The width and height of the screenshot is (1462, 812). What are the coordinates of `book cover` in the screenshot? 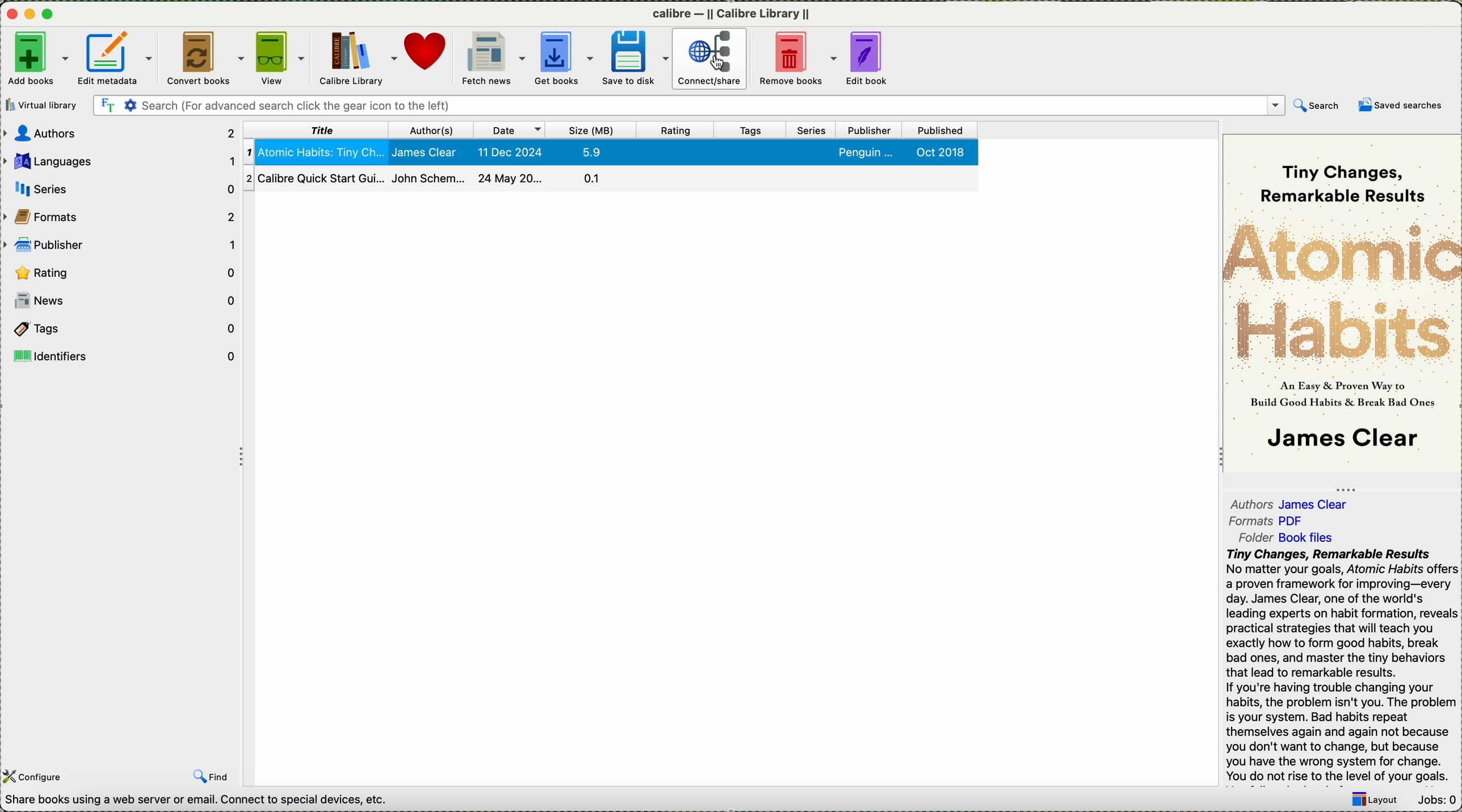 It's located at (1343, 305).